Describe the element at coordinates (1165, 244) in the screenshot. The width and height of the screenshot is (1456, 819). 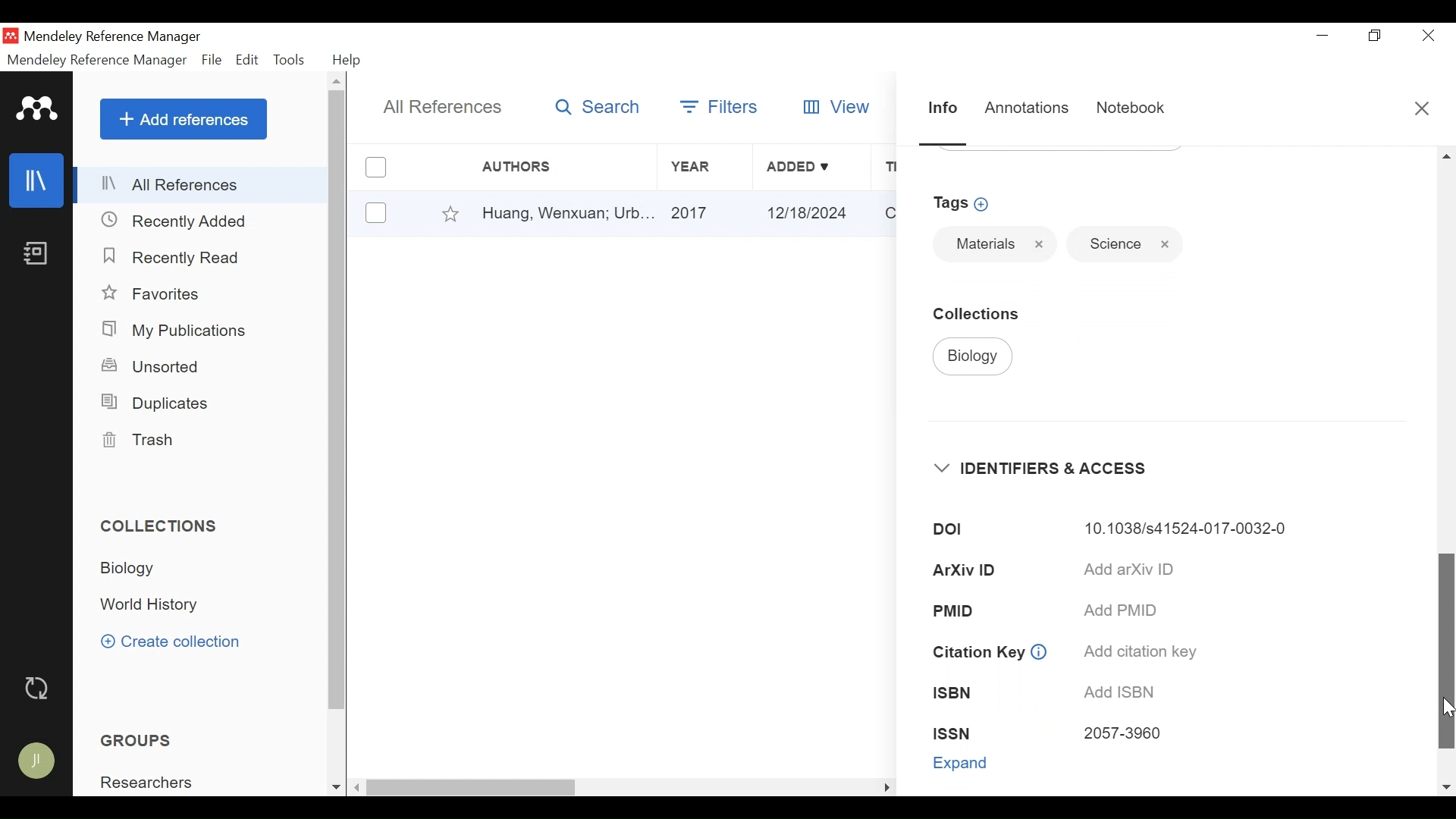
I see `Close` at that location.